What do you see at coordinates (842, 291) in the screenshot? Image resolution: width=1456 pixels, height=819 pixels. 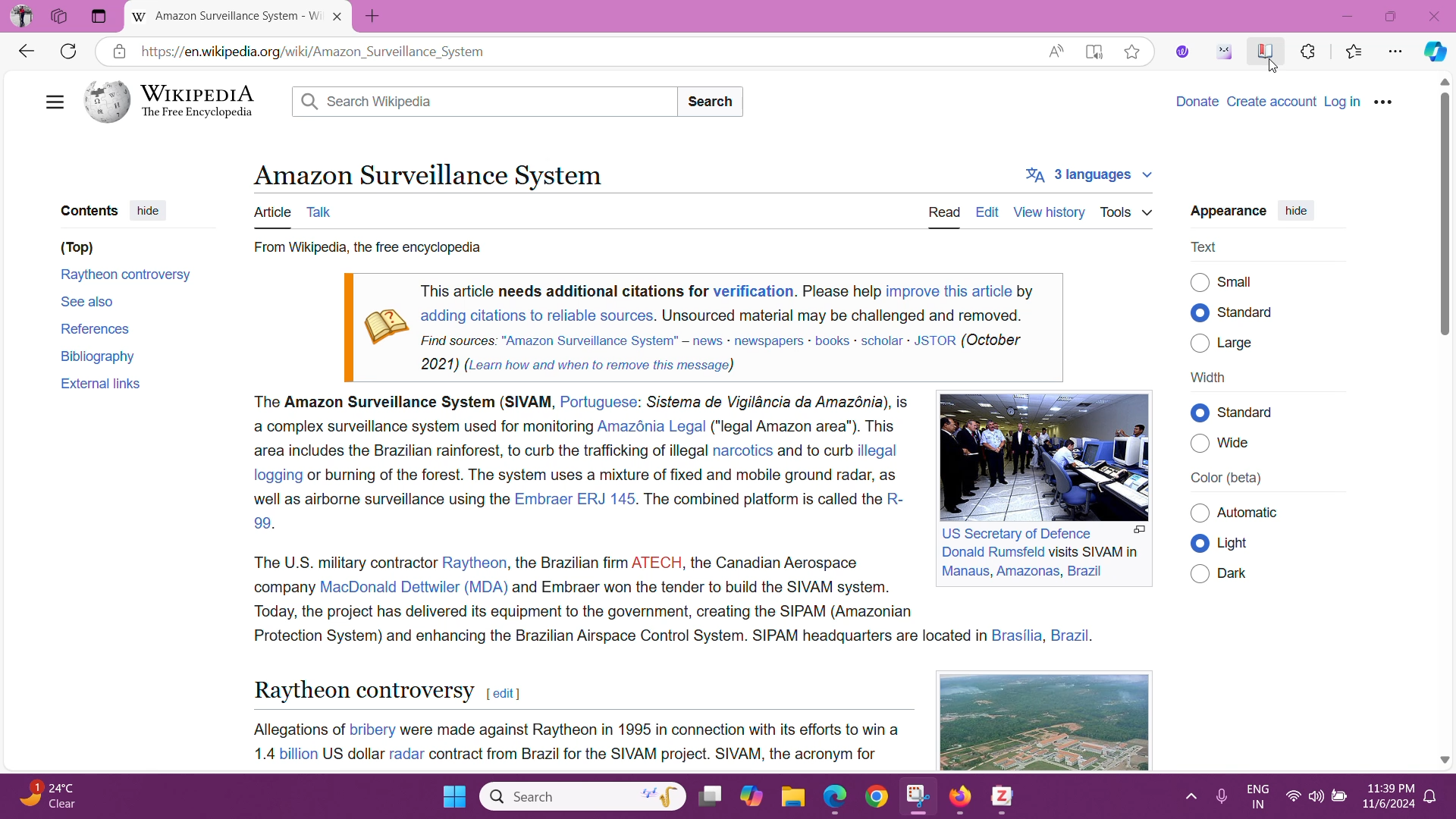 I see `Please help` at bounding box center [842, 291].